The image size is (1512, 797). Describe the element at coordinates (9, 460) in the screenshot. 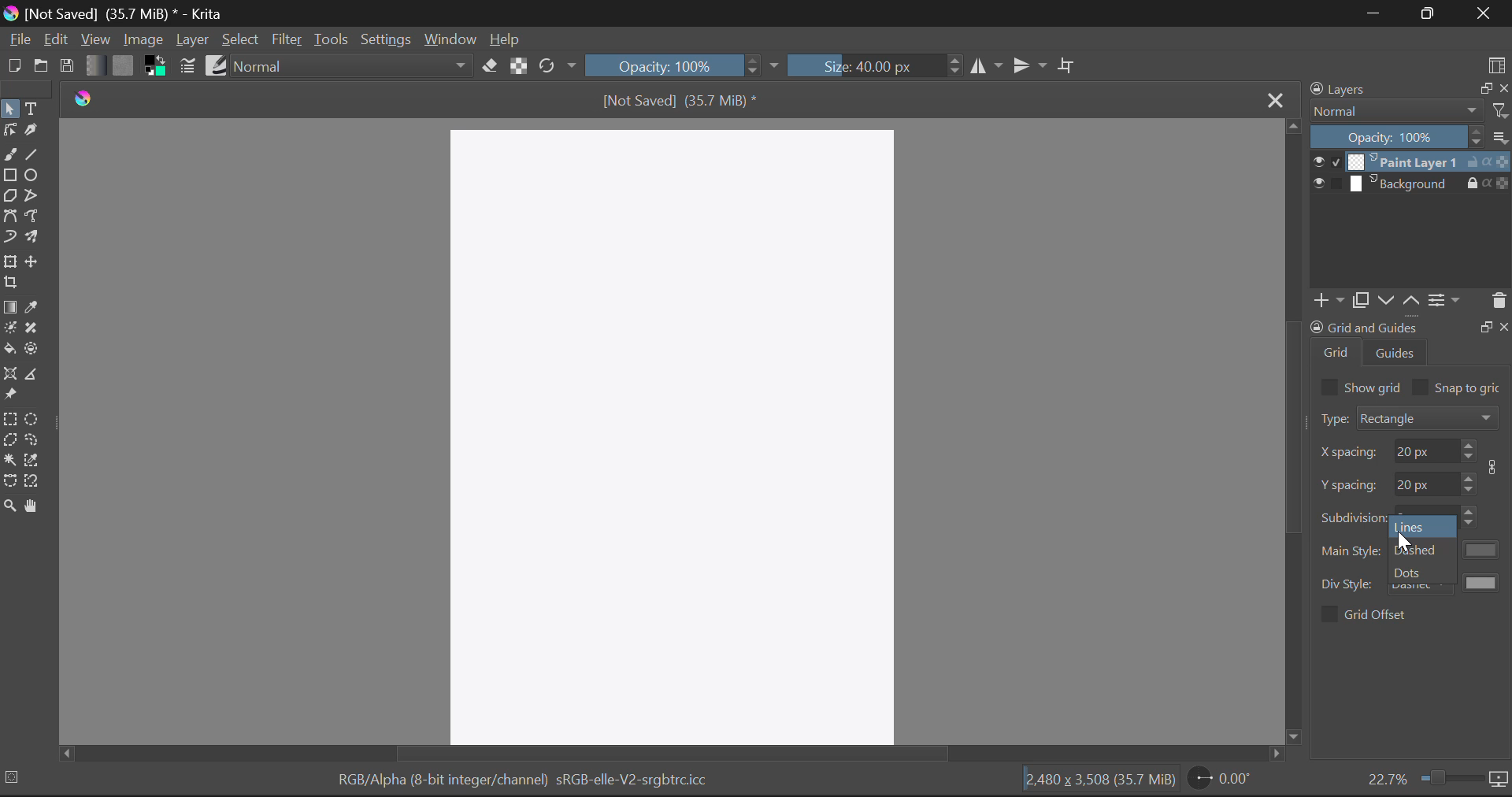

I see `Continuous Selection` at that location.